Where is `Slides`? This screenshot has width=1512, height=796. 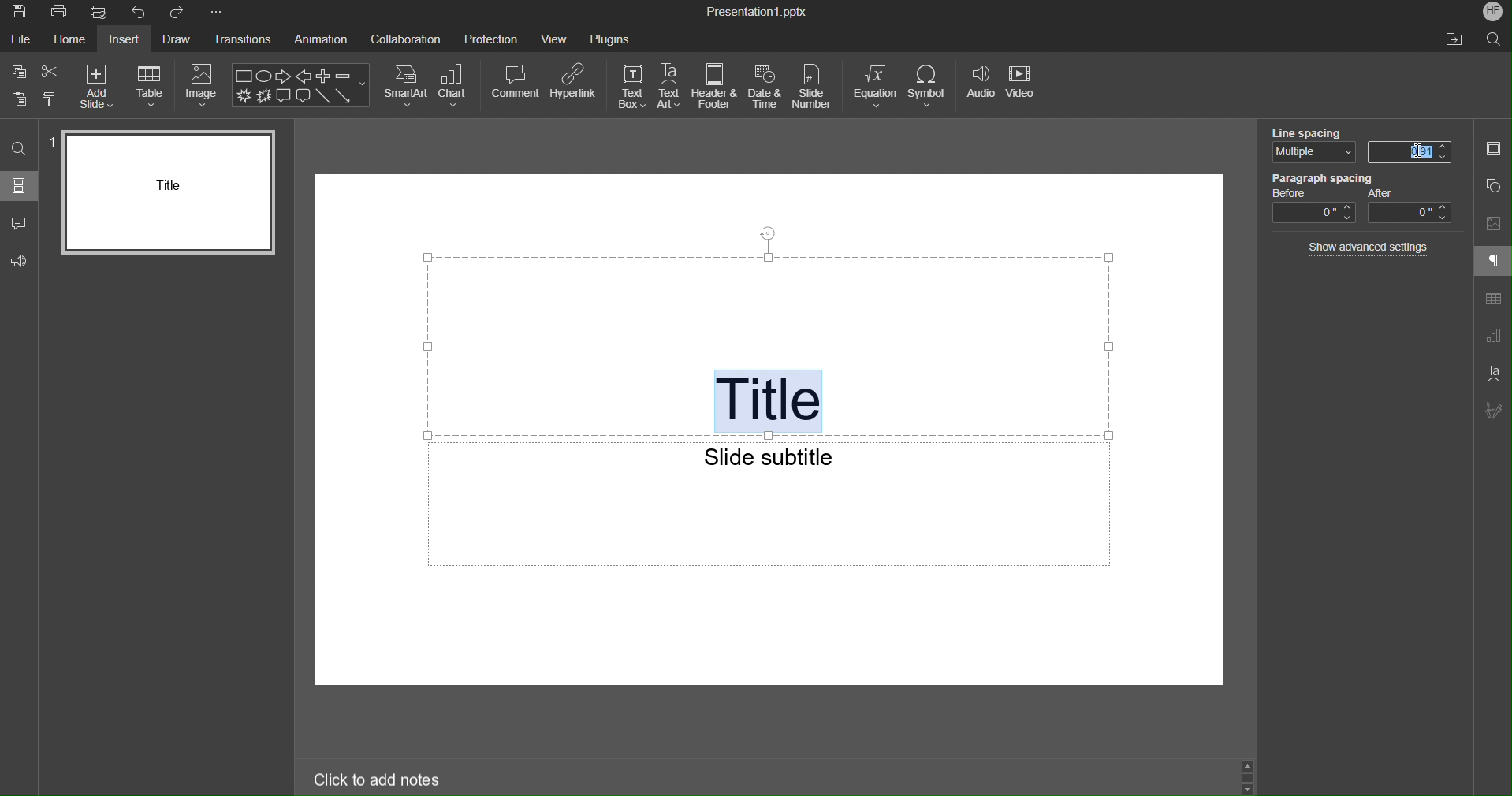 Slides is located at coordinates (22, 184).